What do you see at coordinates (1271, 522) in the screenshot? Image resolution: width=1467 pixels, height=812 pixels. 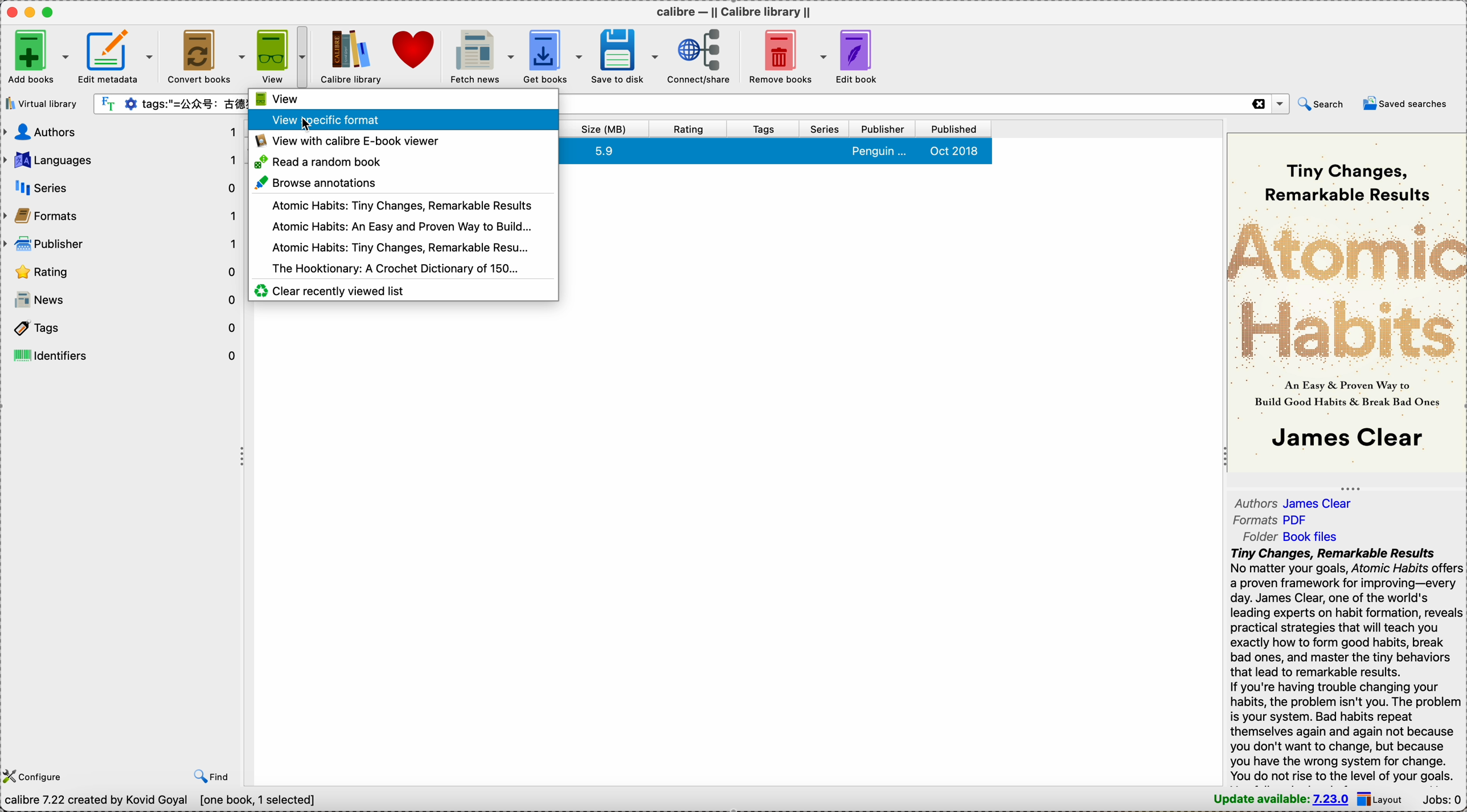 I see `formats` at bounding box center [1271, 522].